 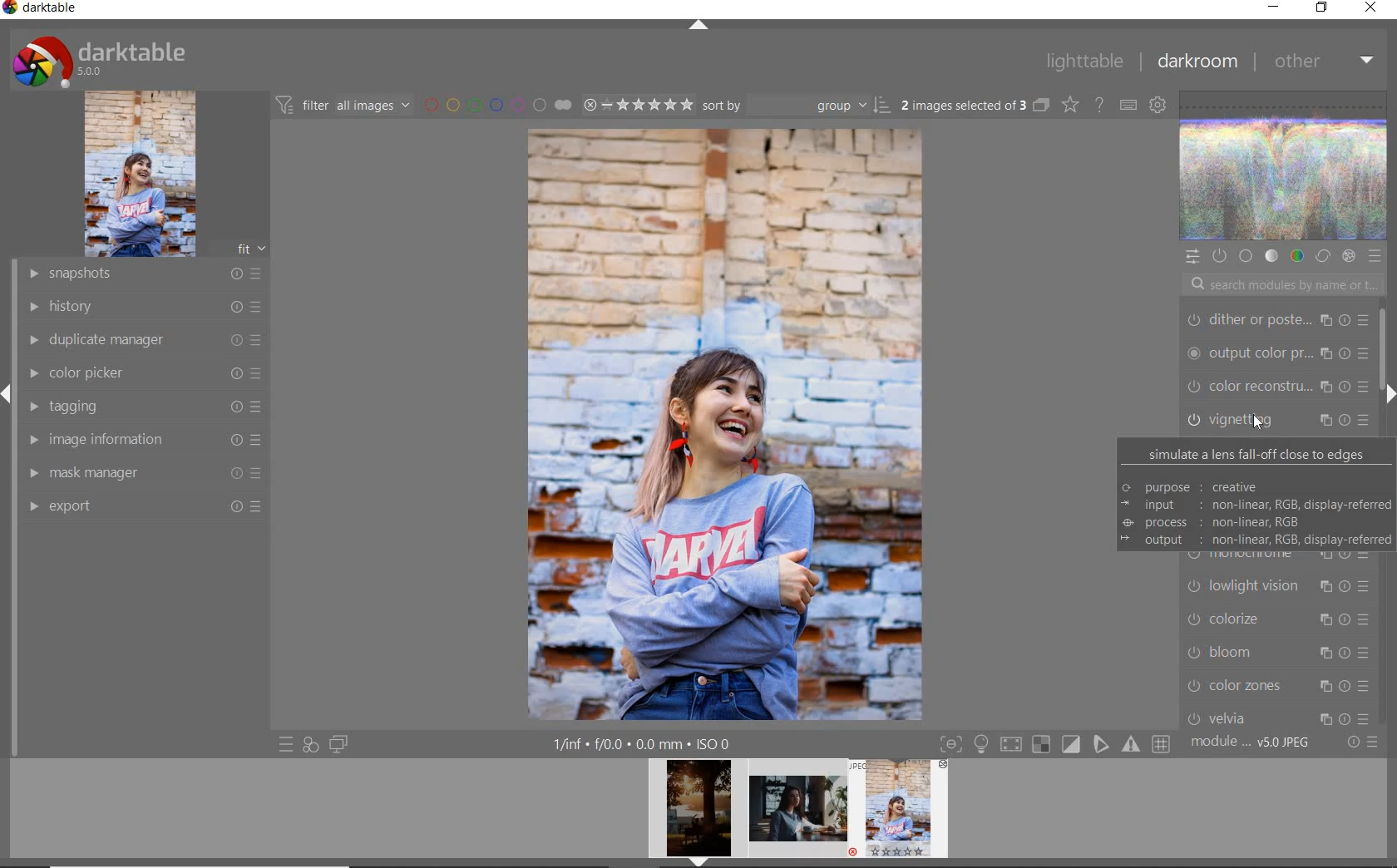 What do you see at coordinates (102, 59) in the screenshot?
I see `system logo and name` at bounding box center [102, 59].